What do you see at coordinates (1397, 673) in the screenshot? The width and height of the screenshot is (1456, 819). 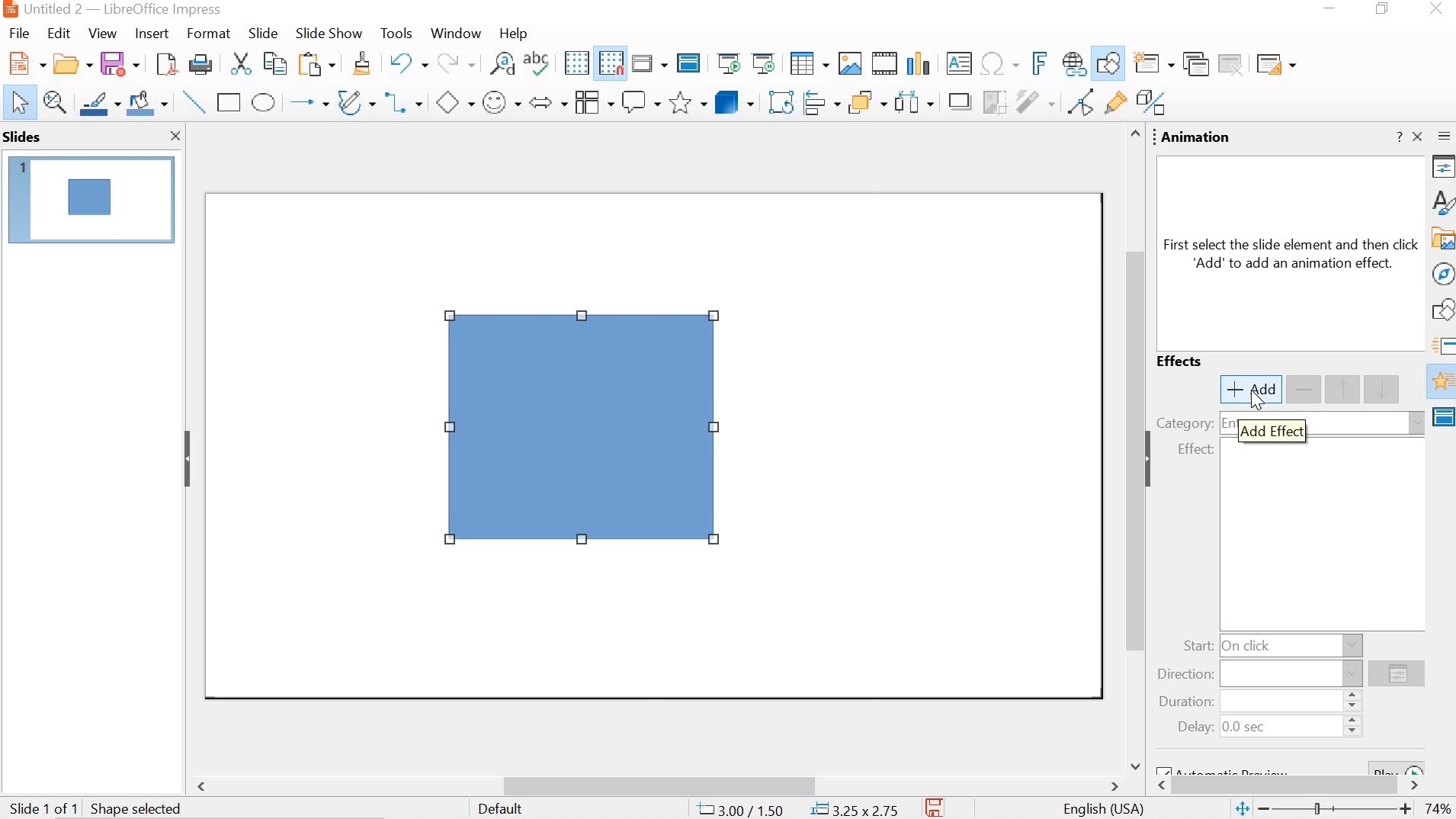 I see `direction` at bounding box center [1397, 673].